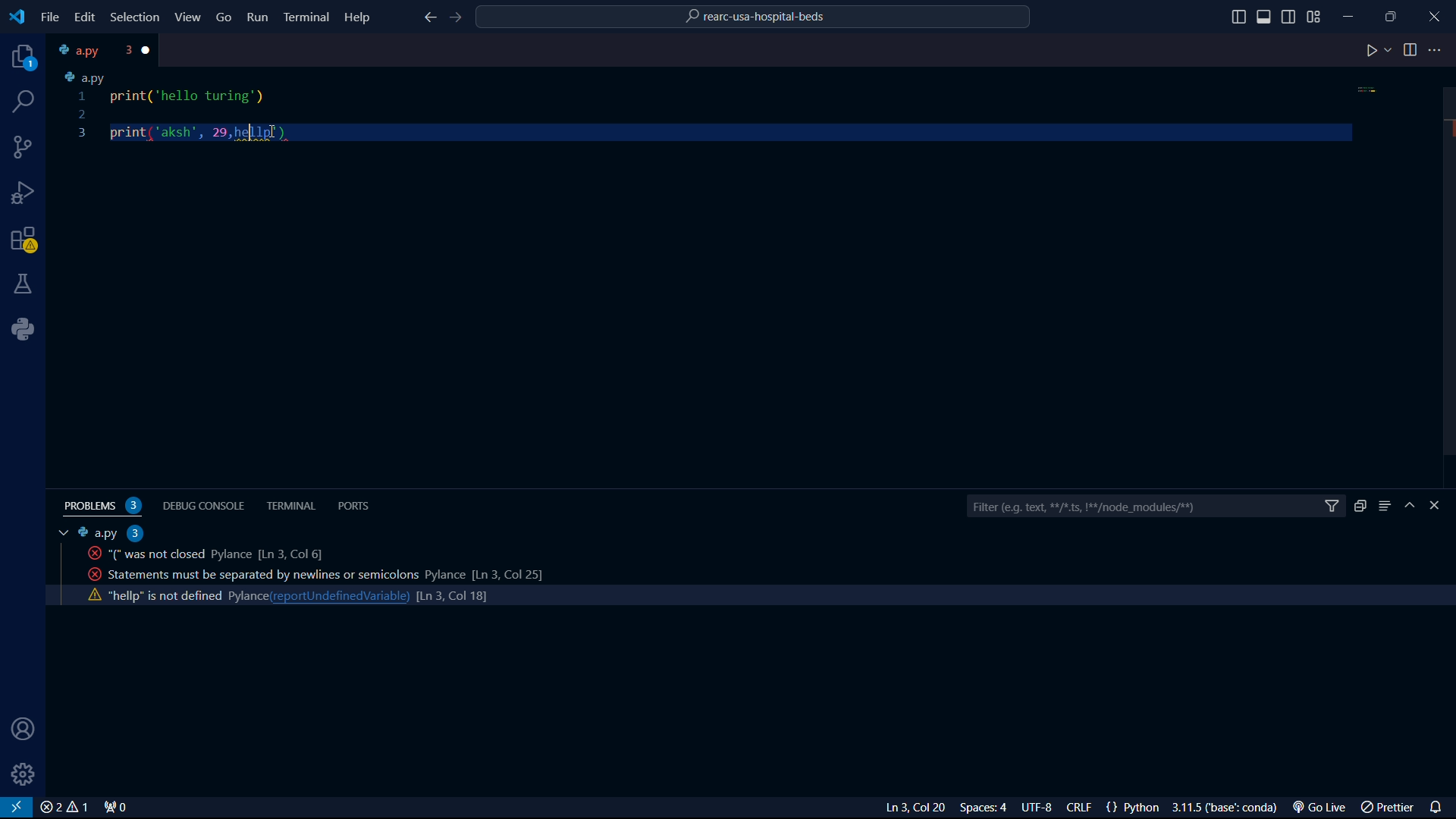 The image size is (1456, 819). What do you see at coordinates (1135, 808) in the screenshot?
I see `{} Python` at bounding box center [1135, 808].